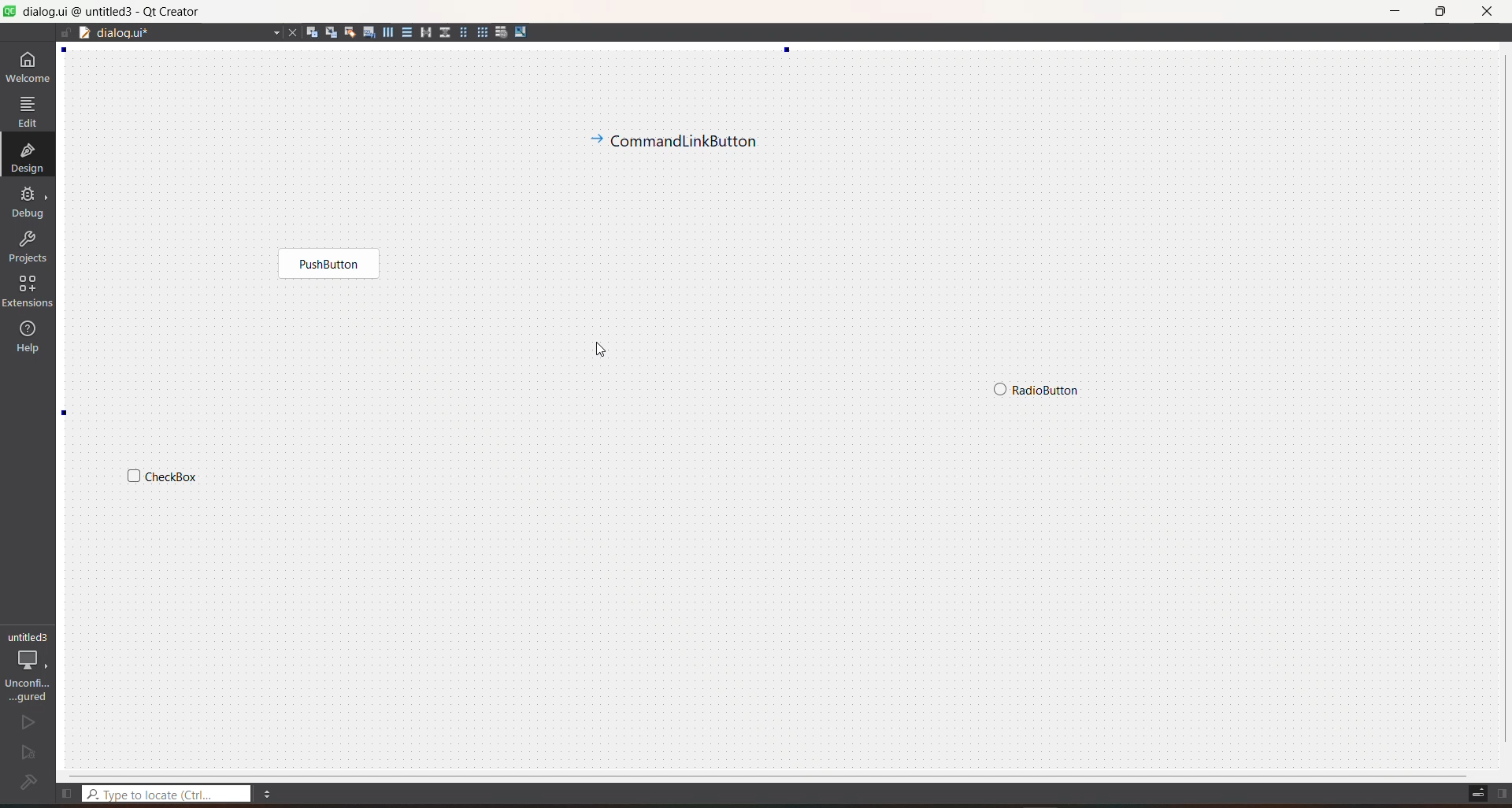 This screenshot has width=1512, height=808. I want to click on break layout, so click(502, 32).